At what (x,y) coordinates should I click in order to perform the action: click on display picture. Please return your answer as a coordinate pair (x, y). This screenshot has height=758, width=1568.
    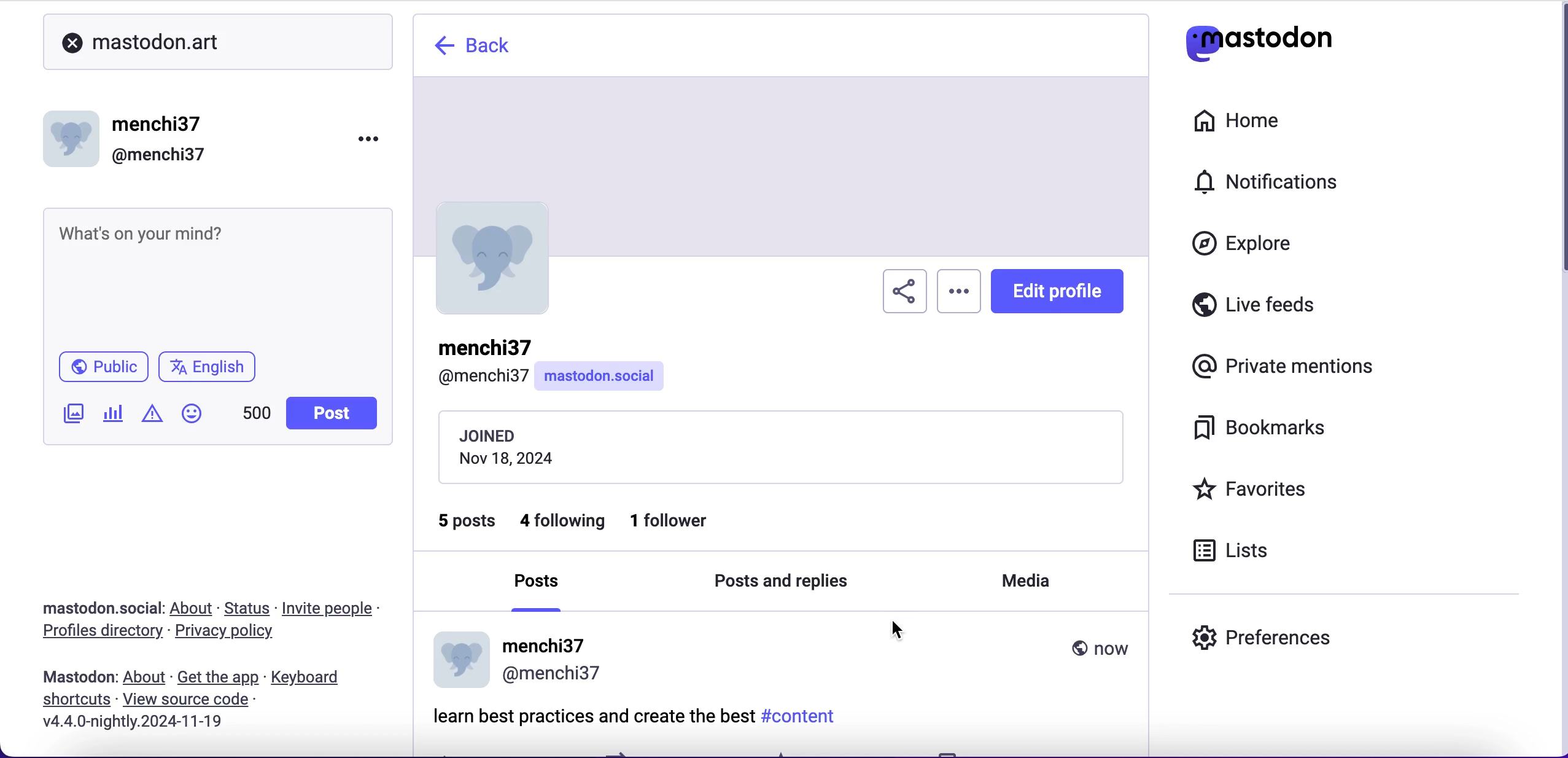
    Looking at the image, I should click on (74, 135).